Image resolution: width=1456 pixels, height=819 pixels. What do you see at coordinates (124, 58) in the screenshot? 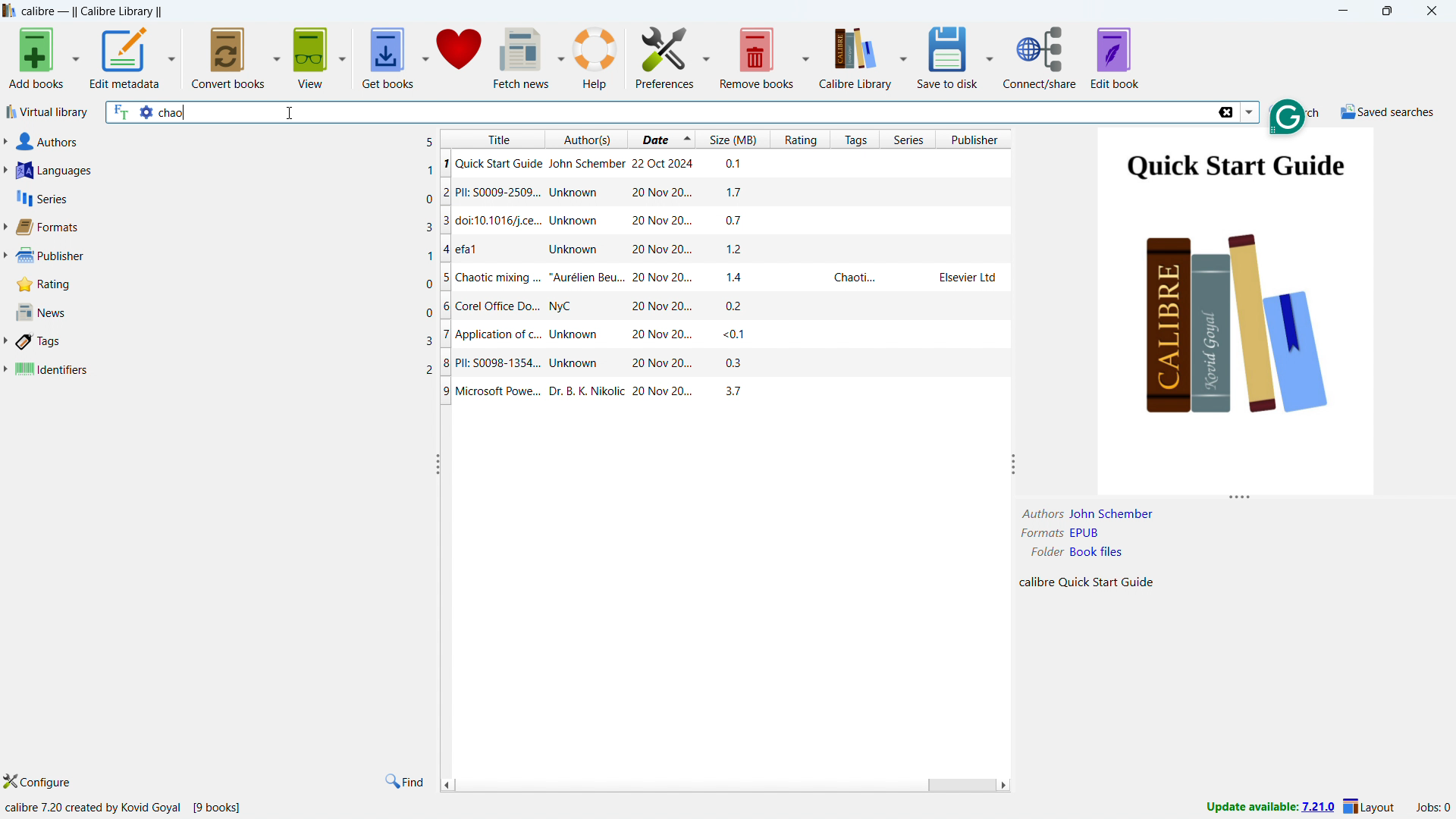
I see `edit metadata` at bounding box center [124, 58].